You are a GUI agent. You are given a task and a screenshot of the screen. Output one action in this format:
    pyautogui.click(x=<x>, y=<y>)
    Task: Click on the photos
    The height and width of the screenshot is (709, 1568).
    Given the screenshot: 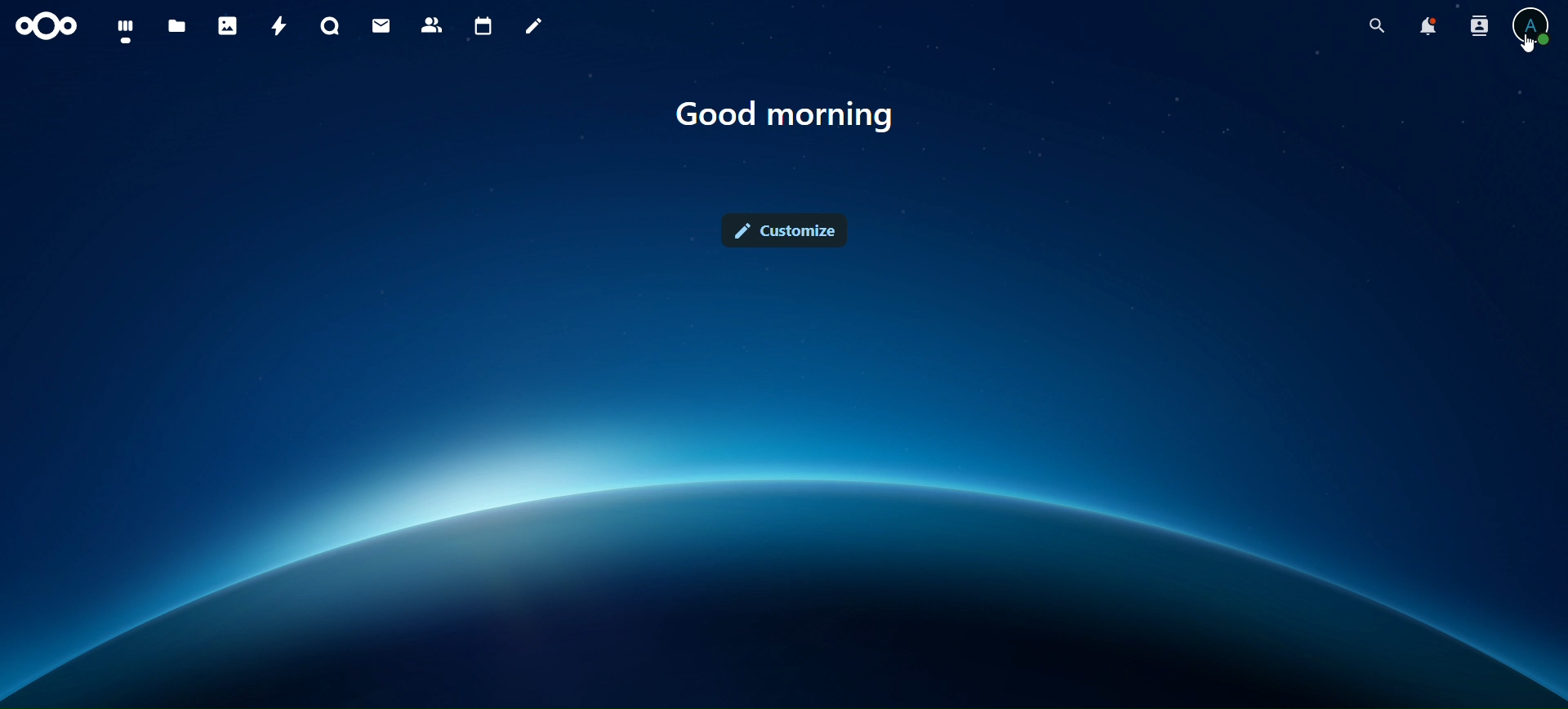 What is the action you would take?
    pyautogui.click(x=227, y=25)
    